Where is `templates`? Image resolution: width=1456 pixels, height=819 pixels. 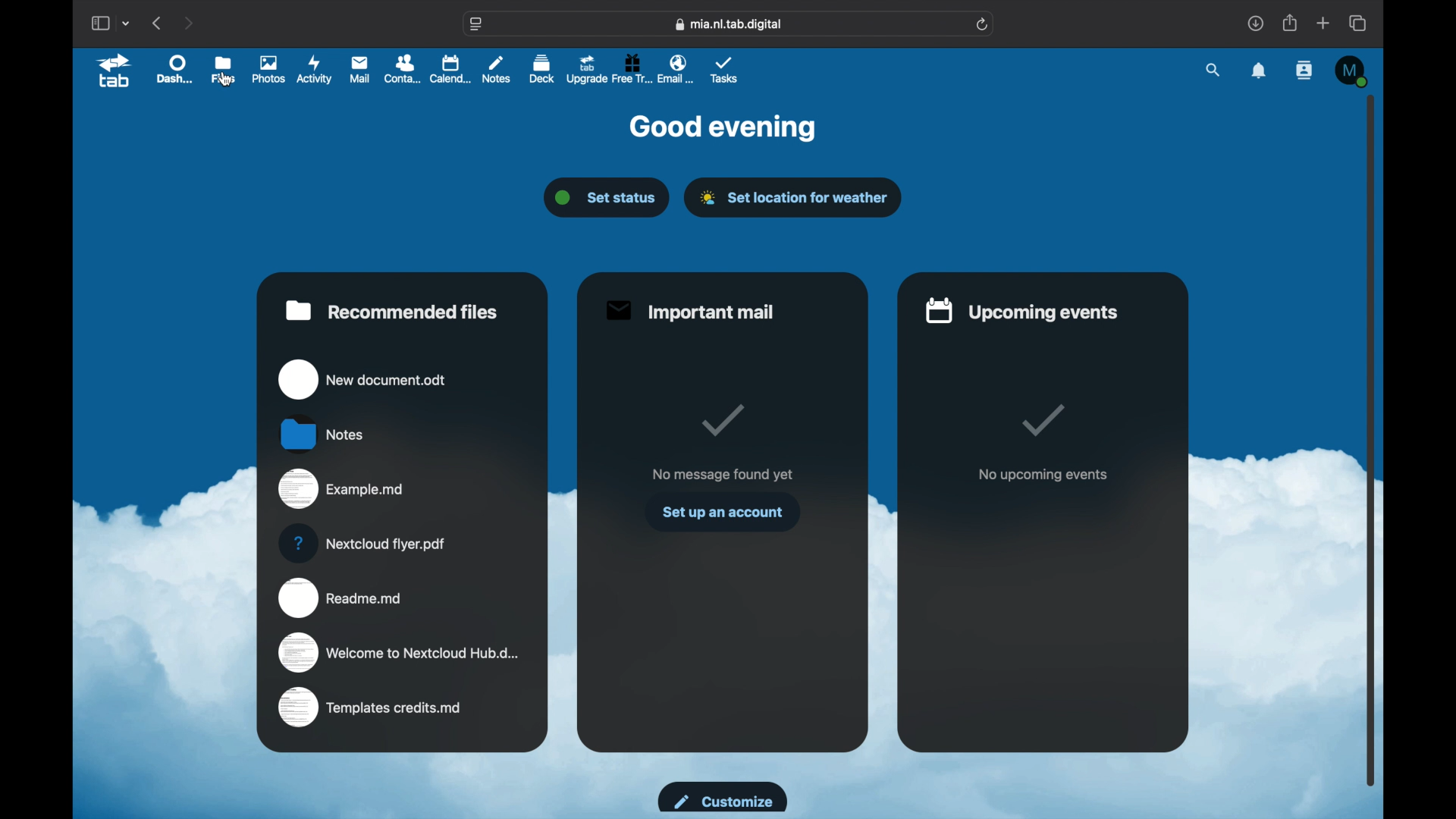
templates is located at coordinates (372, 708).